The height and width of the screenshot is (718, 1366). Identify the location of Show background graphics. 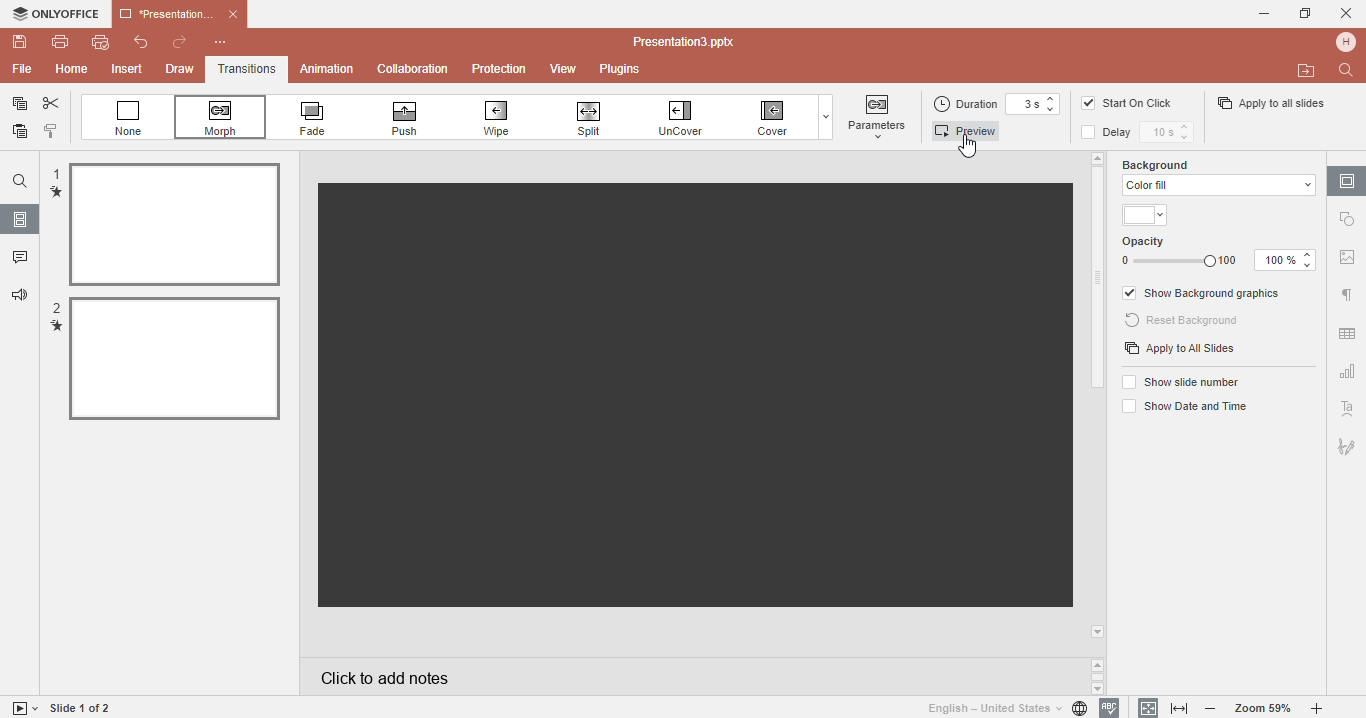
(1204, 294).